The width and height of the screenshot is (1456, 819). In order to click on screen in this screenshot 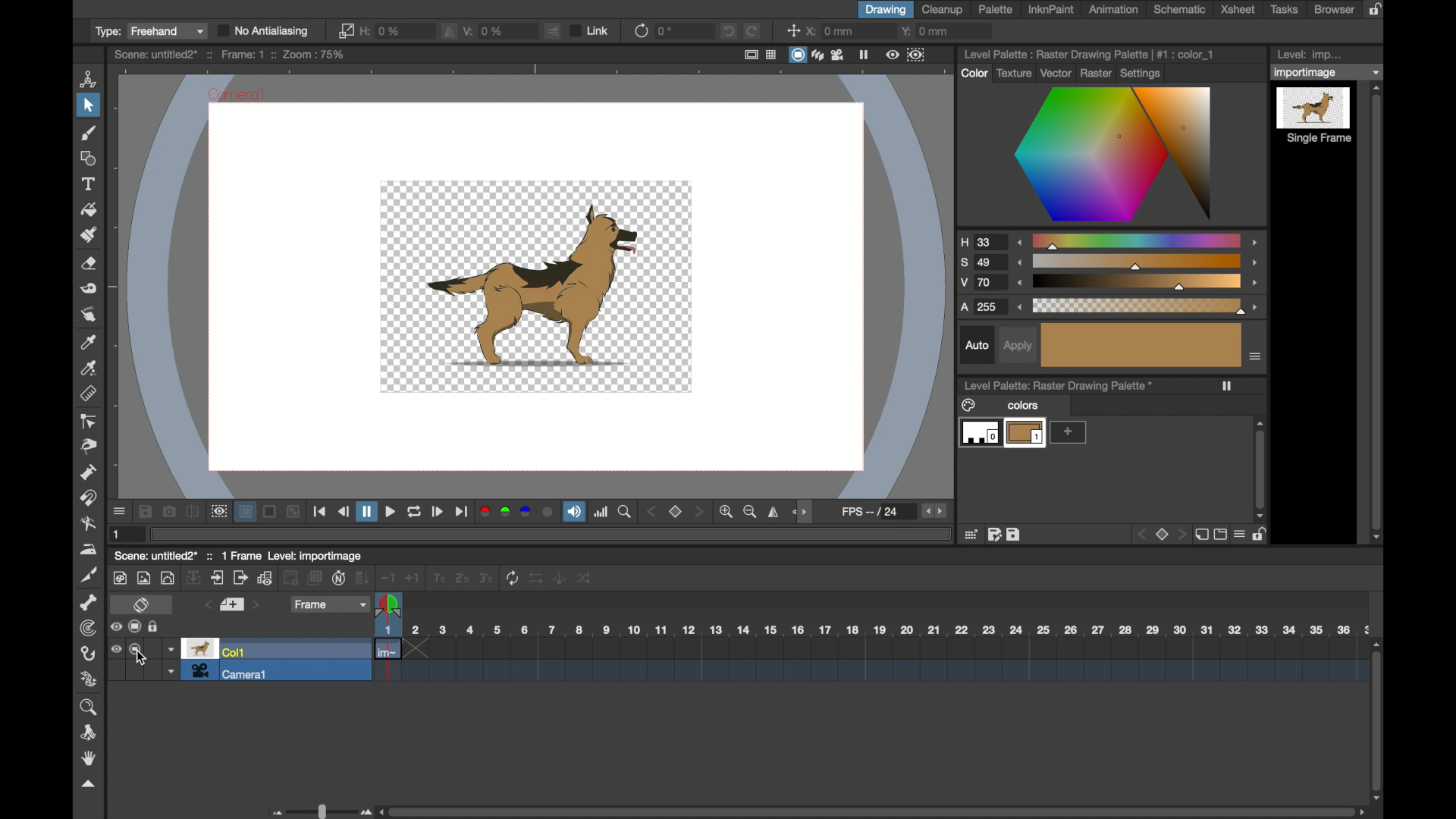, I will do `click(798, 55)`.